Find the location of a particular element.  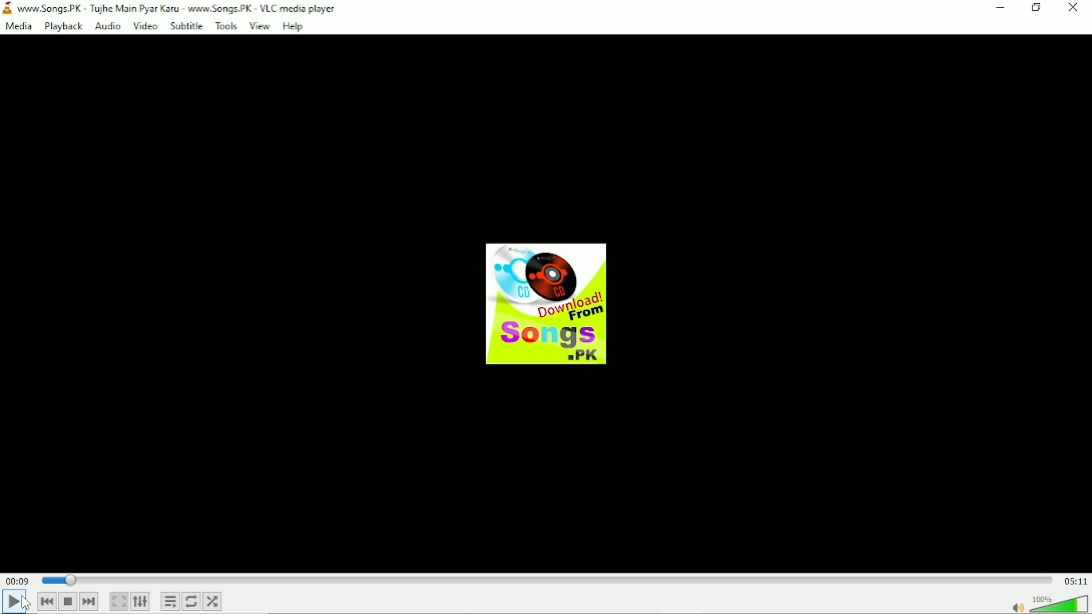

Close is located at coordinates (1071, 11).